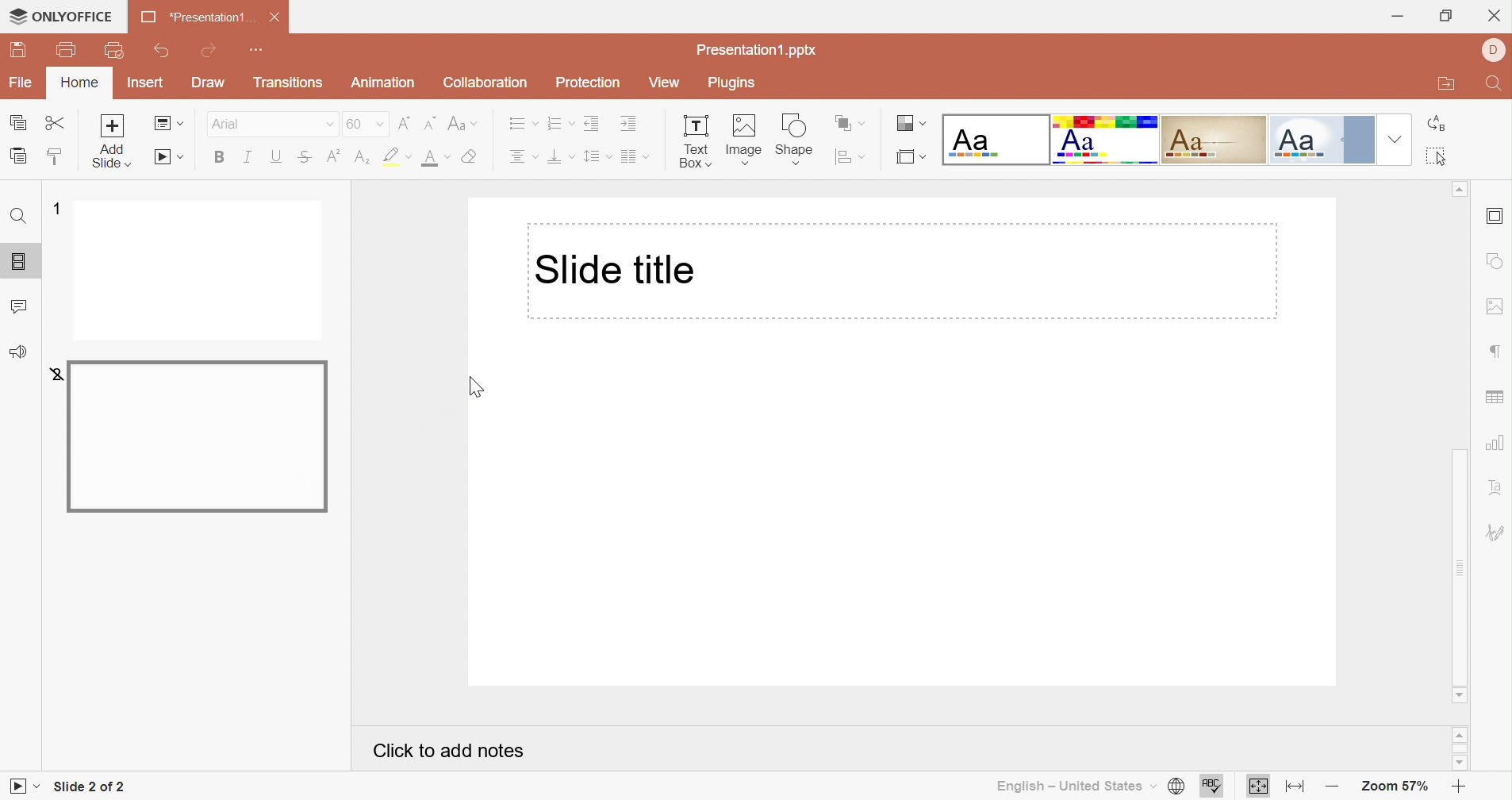 The image size is (1512, 800). What do you see at coordinates (67, 50) in the screenshot?
I see `Print` at bounding box center [67, 50].